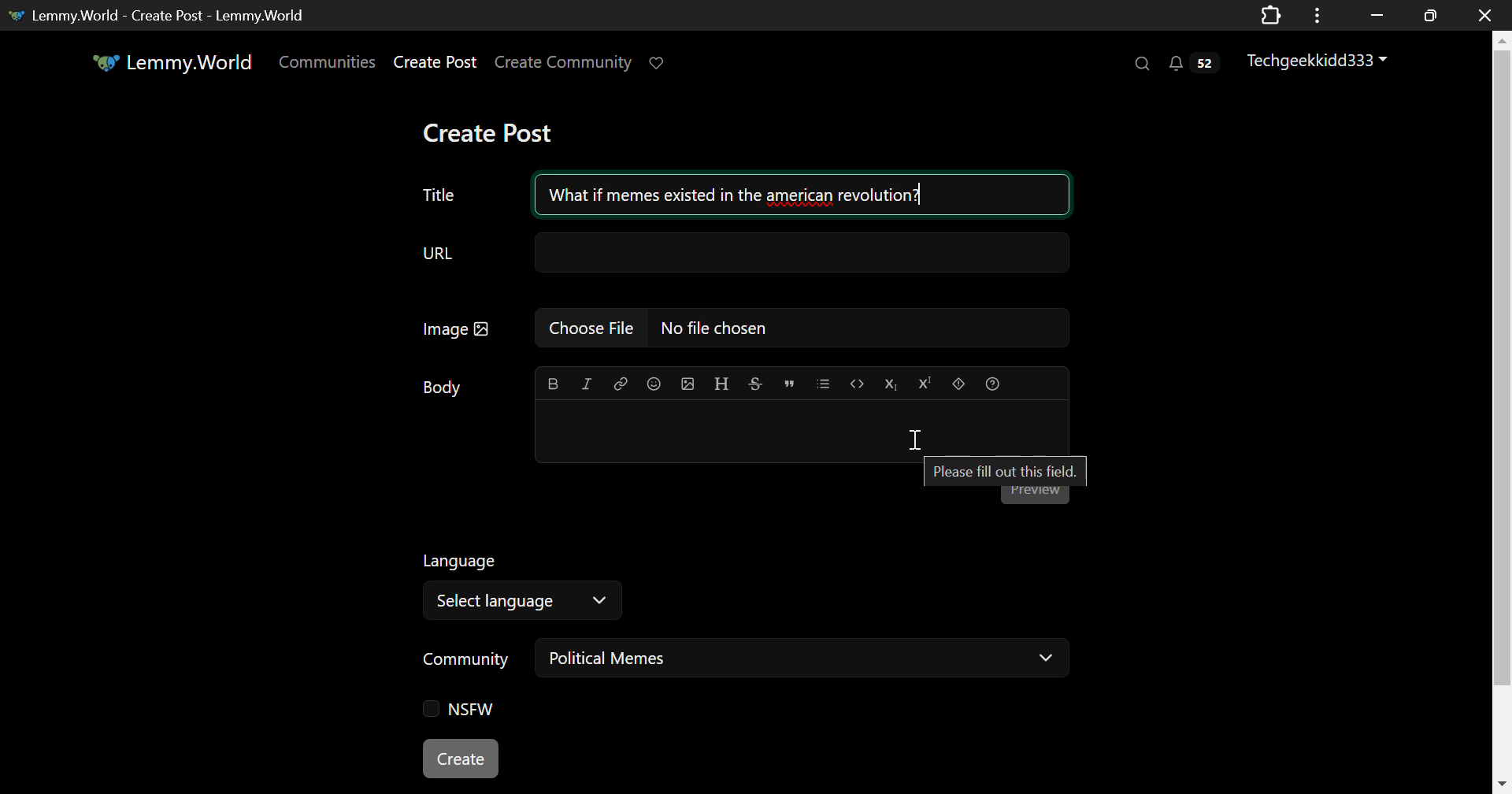 The height and width of the screenshot is (794, 1512). What do you see at coordinates (1272, 14) in the screenshot?
I see `Extensions` at bounding box center [1272, 14].